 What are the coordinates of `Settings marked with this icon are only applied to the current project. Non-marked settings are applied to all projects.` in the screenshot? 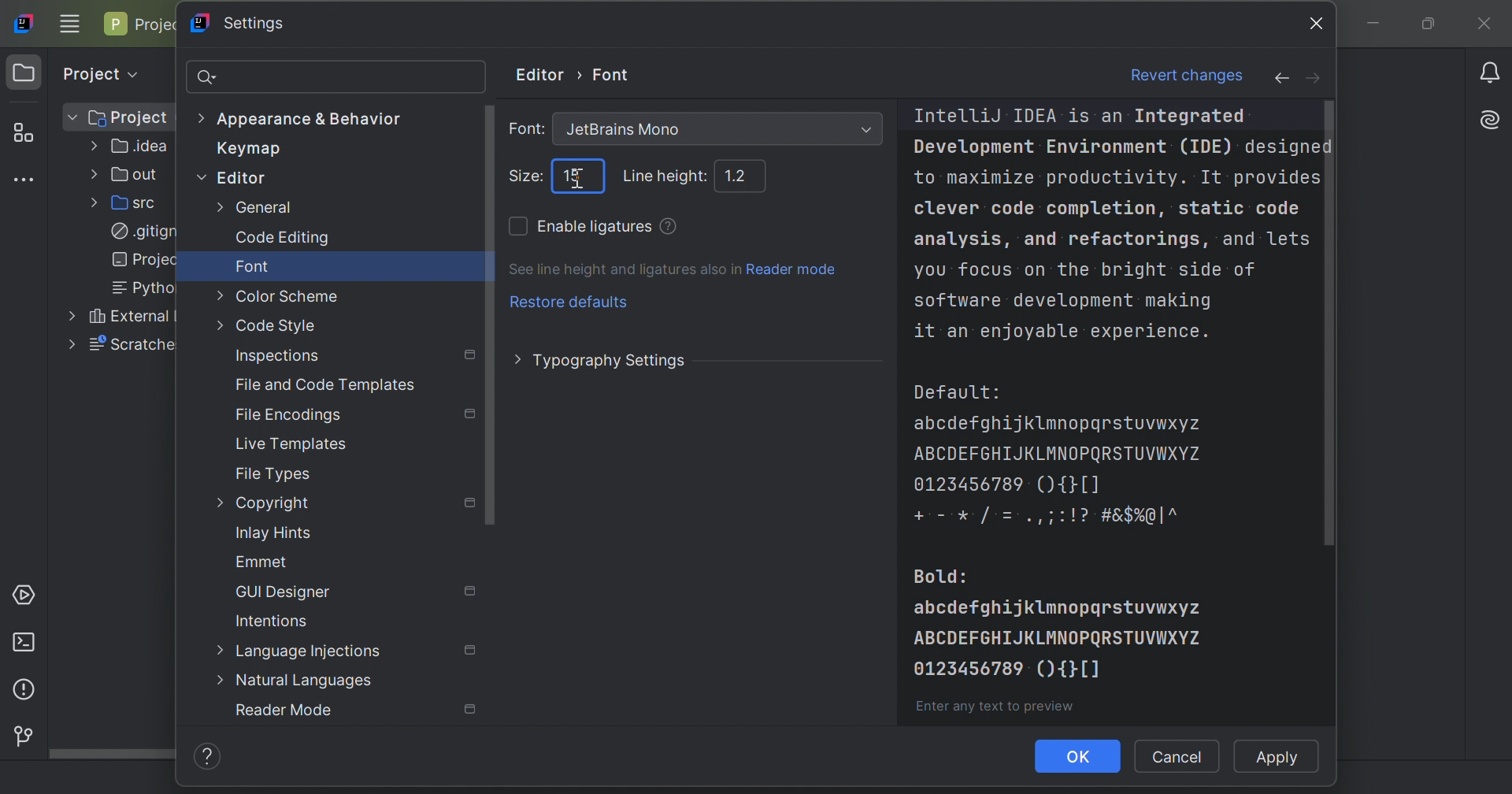 It's located at (472, 503).